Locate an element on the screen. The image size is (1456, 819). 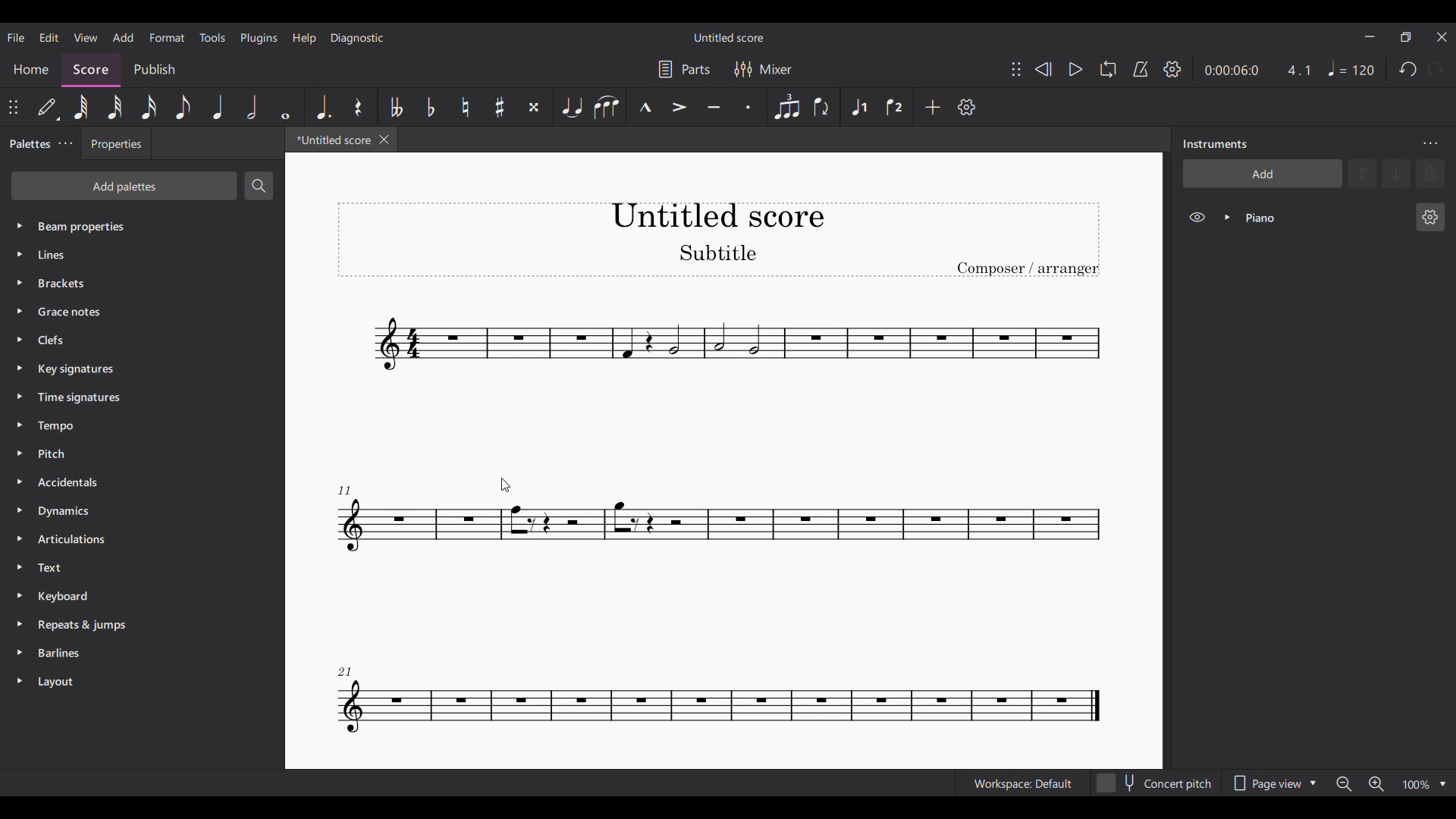
Tempo is located at coordinates (1351, 68).